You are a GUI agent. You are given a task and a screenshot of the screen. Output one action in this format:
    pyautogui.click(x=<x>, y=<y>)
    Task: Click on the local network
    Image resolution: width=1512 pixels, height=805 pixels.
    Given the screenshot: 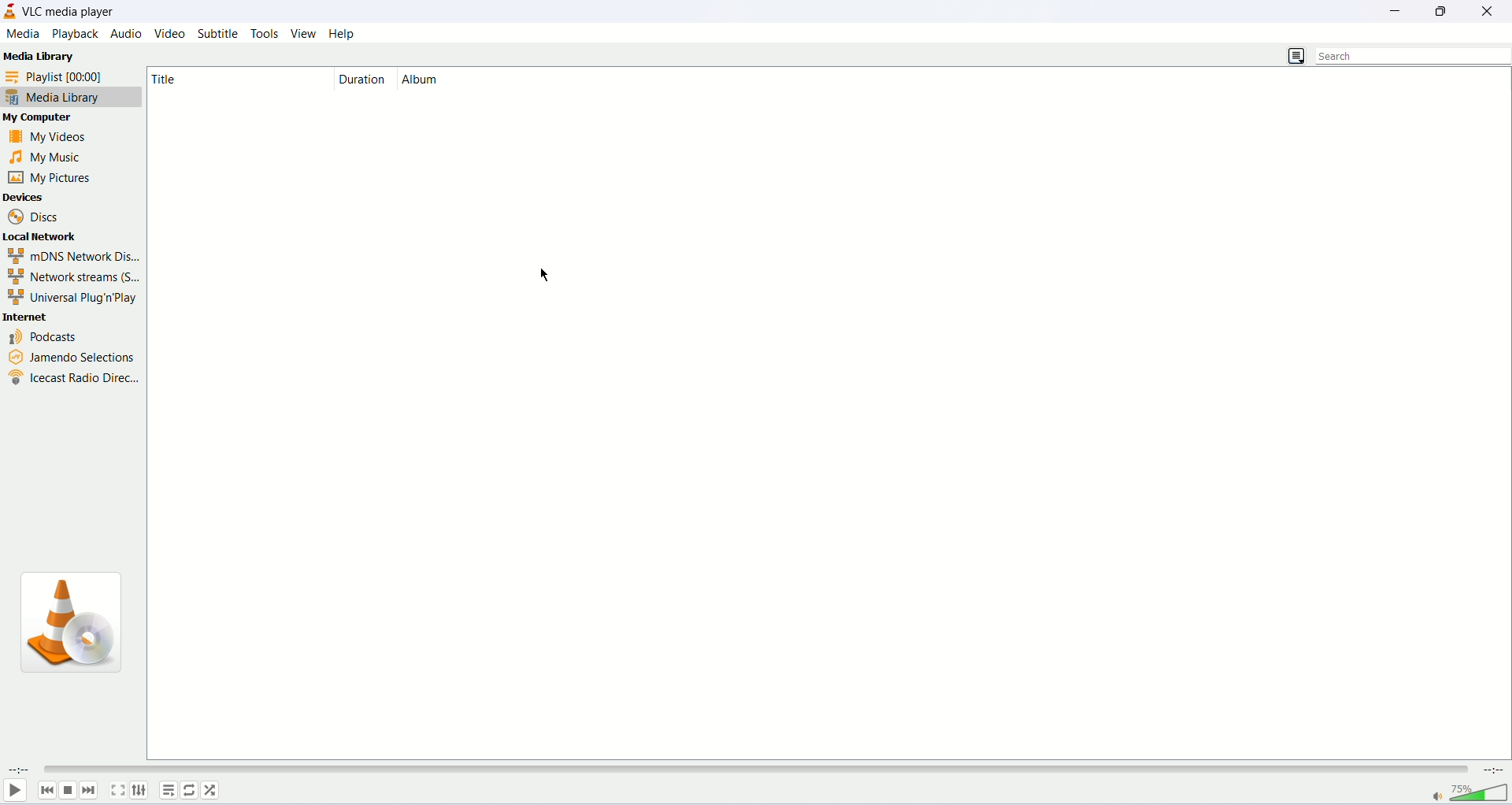 What is the action you would take?
    pyautogui.click(x=42, y=236)
    